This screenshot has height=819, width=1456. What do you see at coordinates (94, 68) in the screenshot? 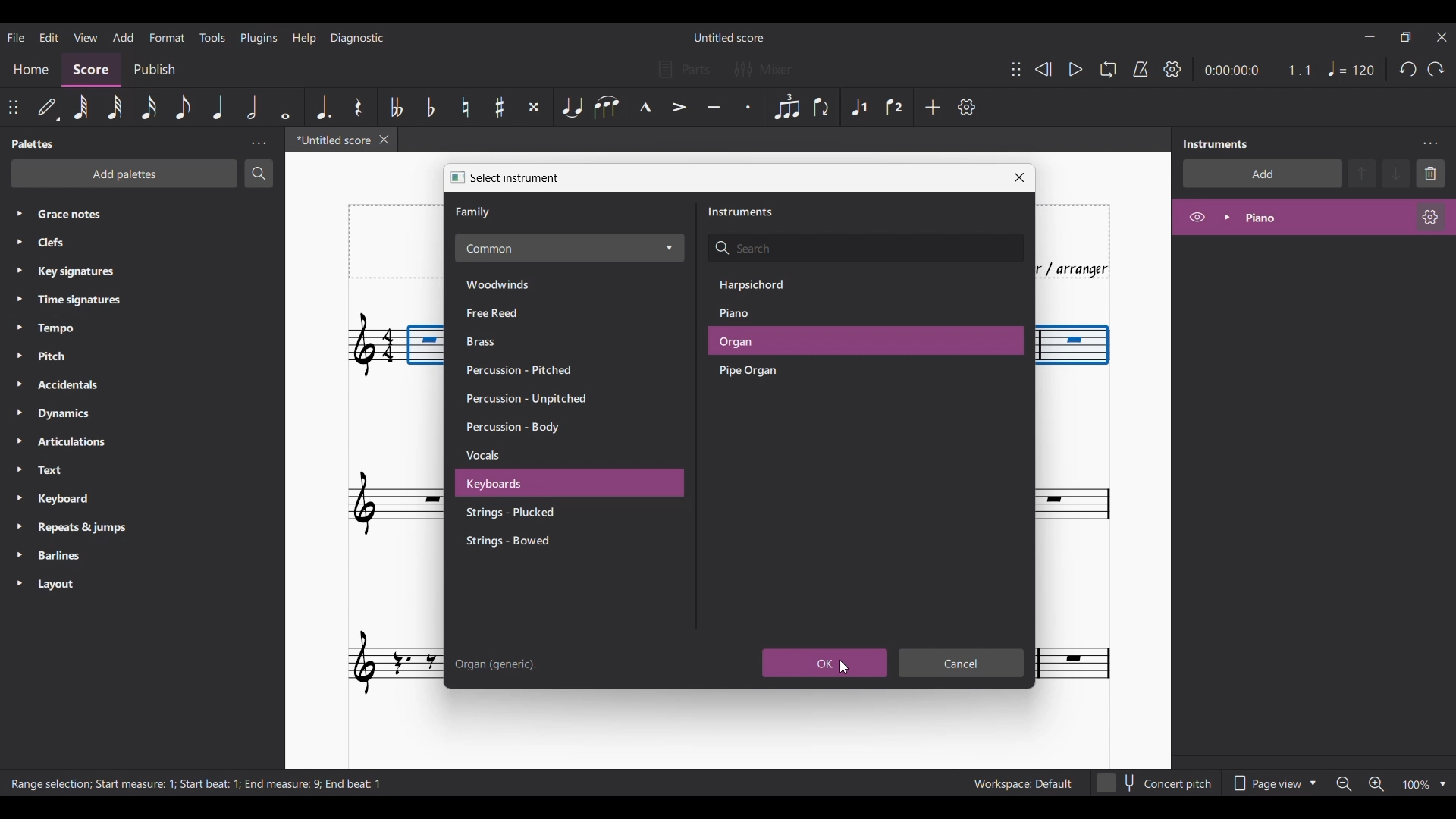
I see `Score section, current selection highlighted` at bounding box center [94, 68].